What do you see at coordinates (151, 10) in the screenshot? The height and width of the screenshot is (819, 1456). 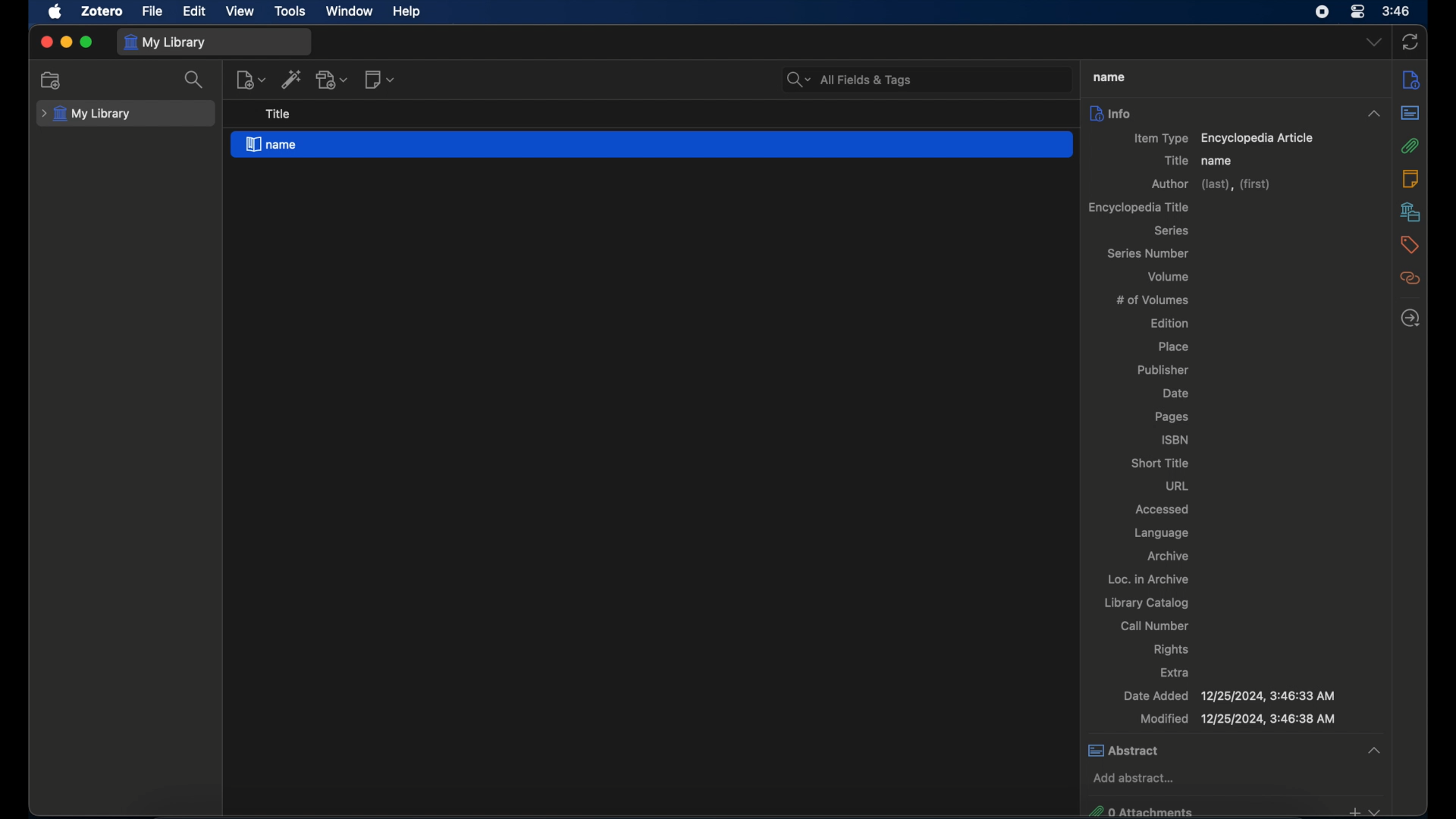 I see `file` at bounding box center [151, 10].